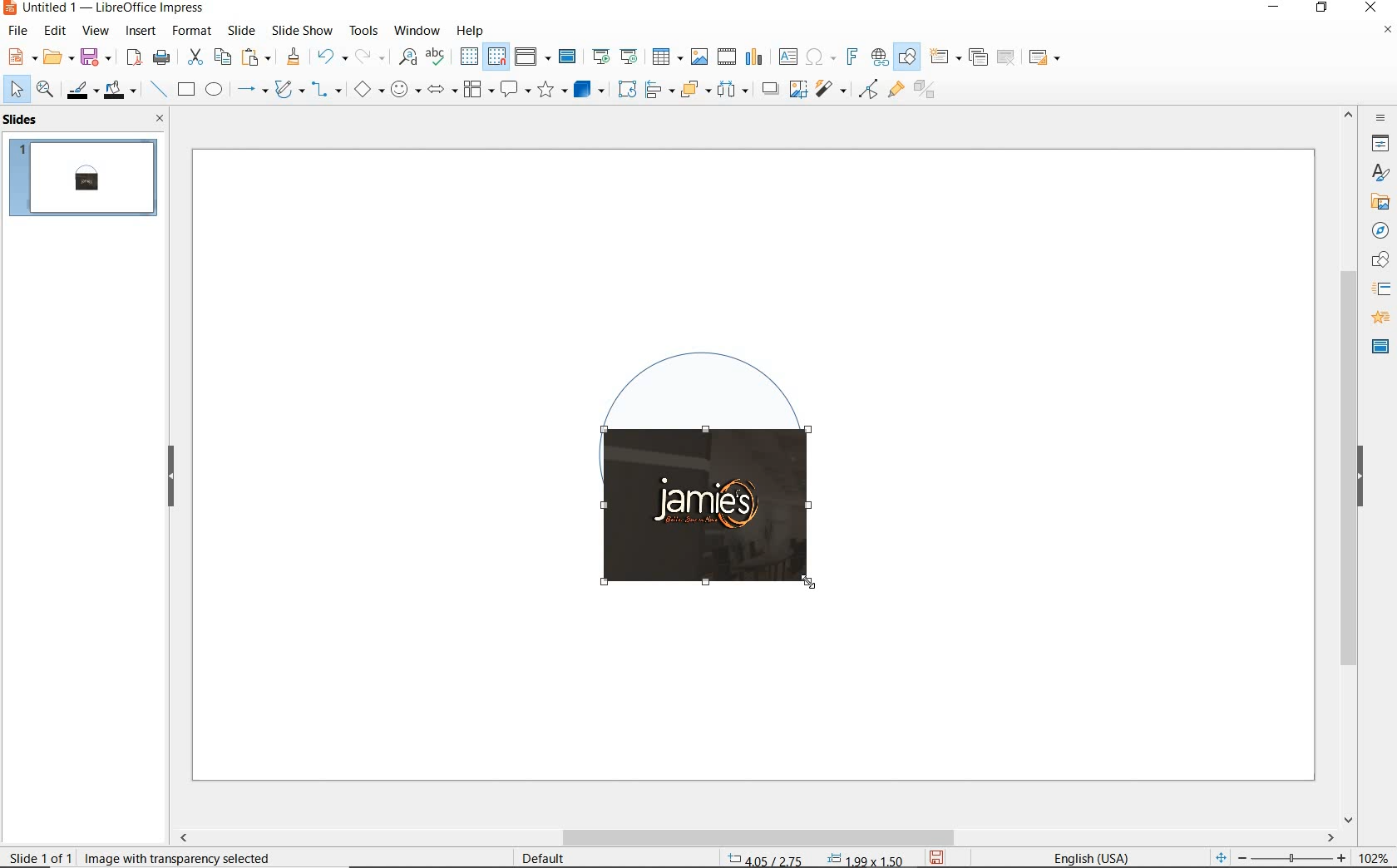 This screenshot has height=868, width=1397. What do you see at coordinates (190, 30) in the screenshot?
I see `format` at bounding box center [190, 30].